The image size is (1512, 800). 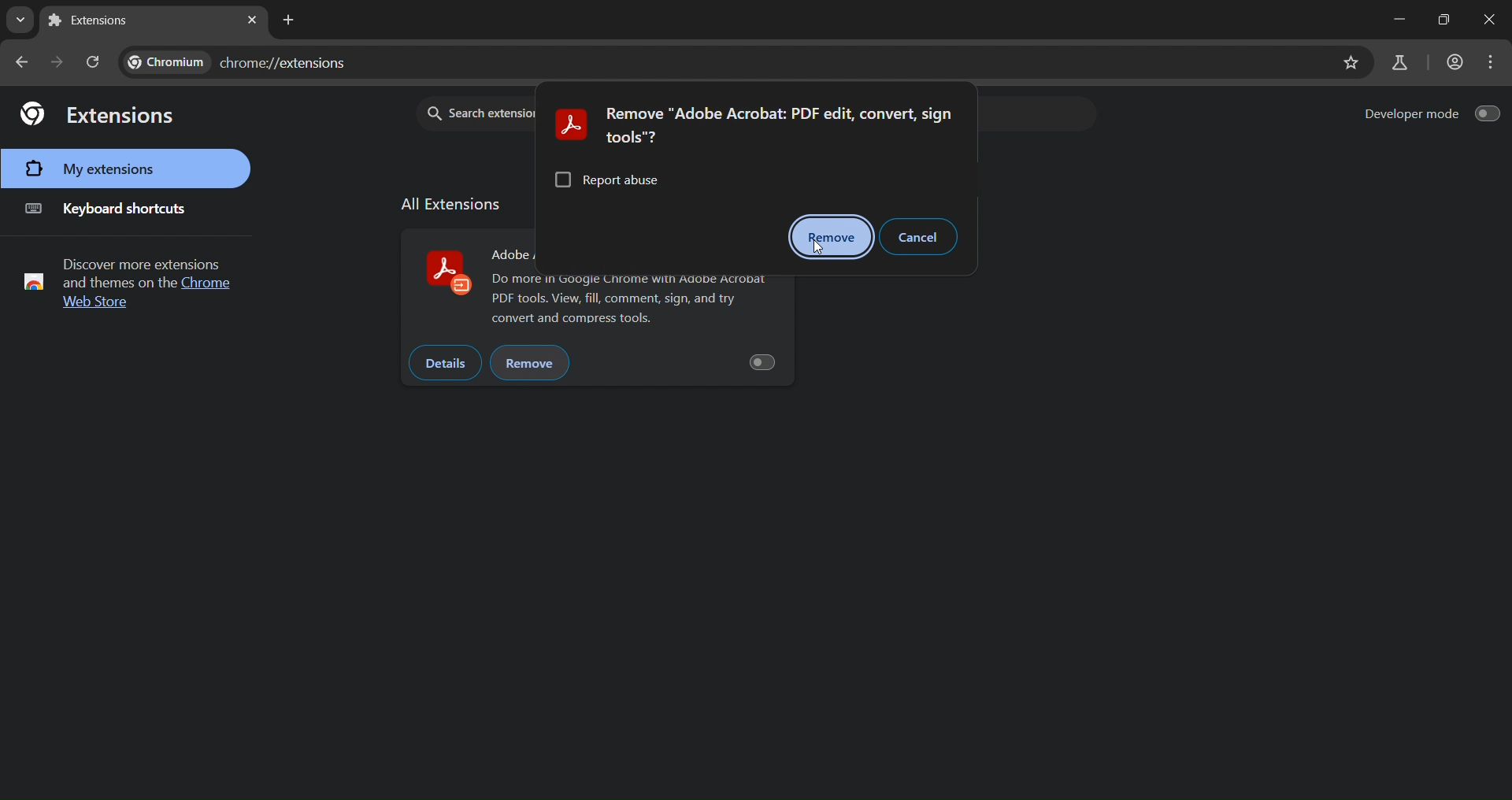 I want to click on remove, so click(x=832, y=235).